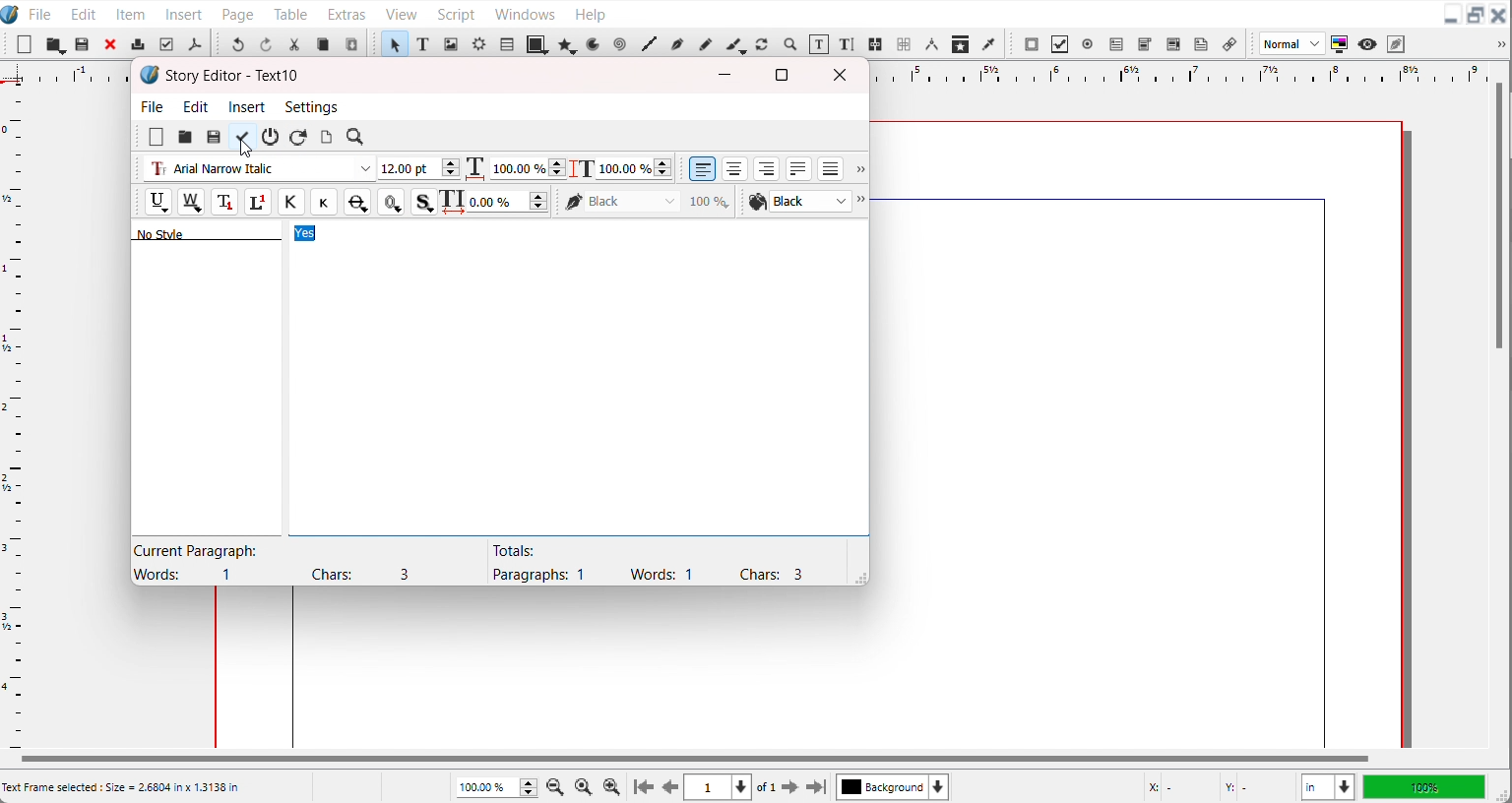  I want to click on Select current layer, so click(893, 786).